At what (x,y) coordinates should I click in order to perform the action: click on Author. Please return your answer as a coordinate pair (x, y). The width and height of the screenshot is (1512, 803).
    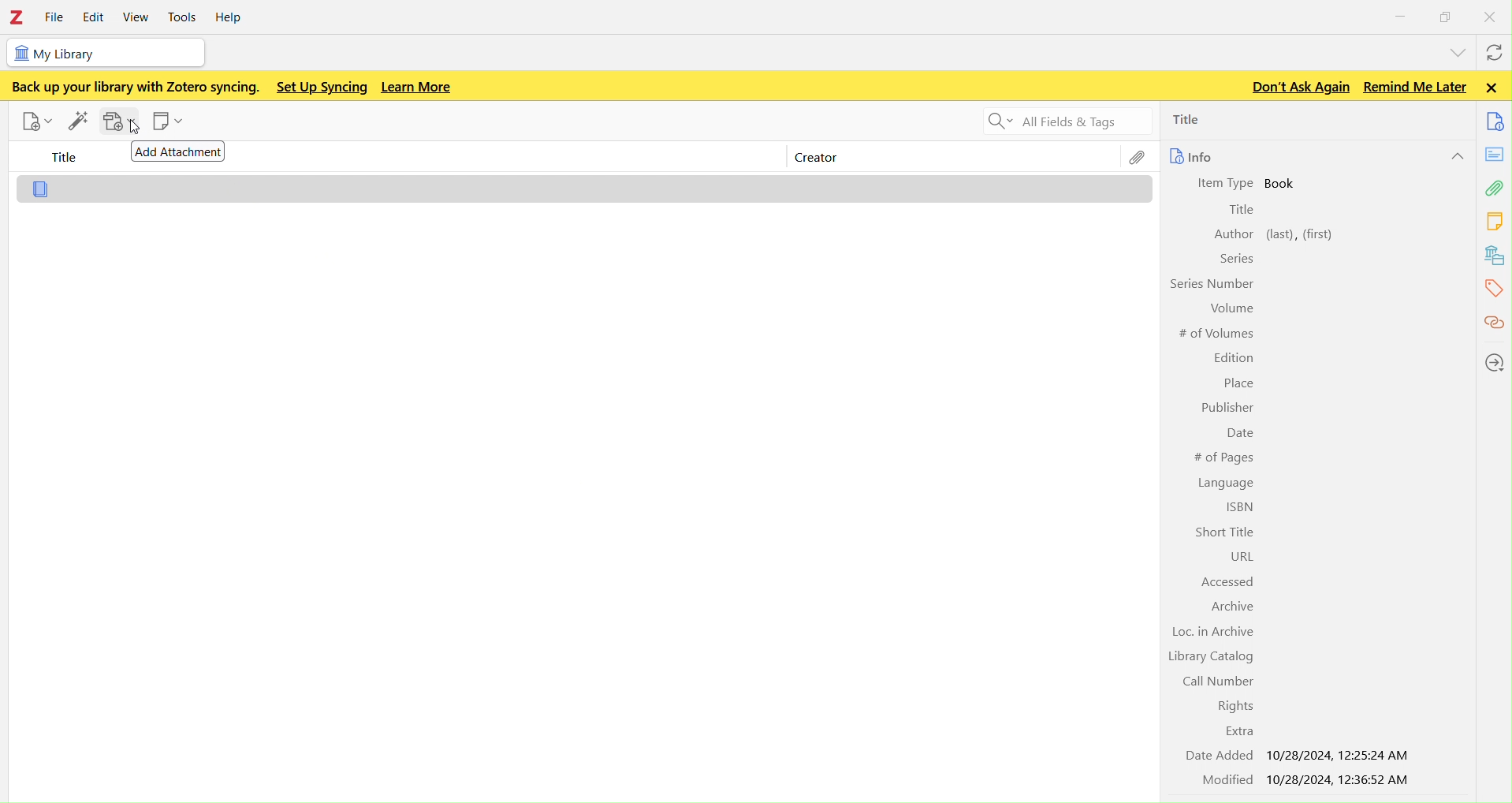
    Looking at the image, I should click on (1233, 235).